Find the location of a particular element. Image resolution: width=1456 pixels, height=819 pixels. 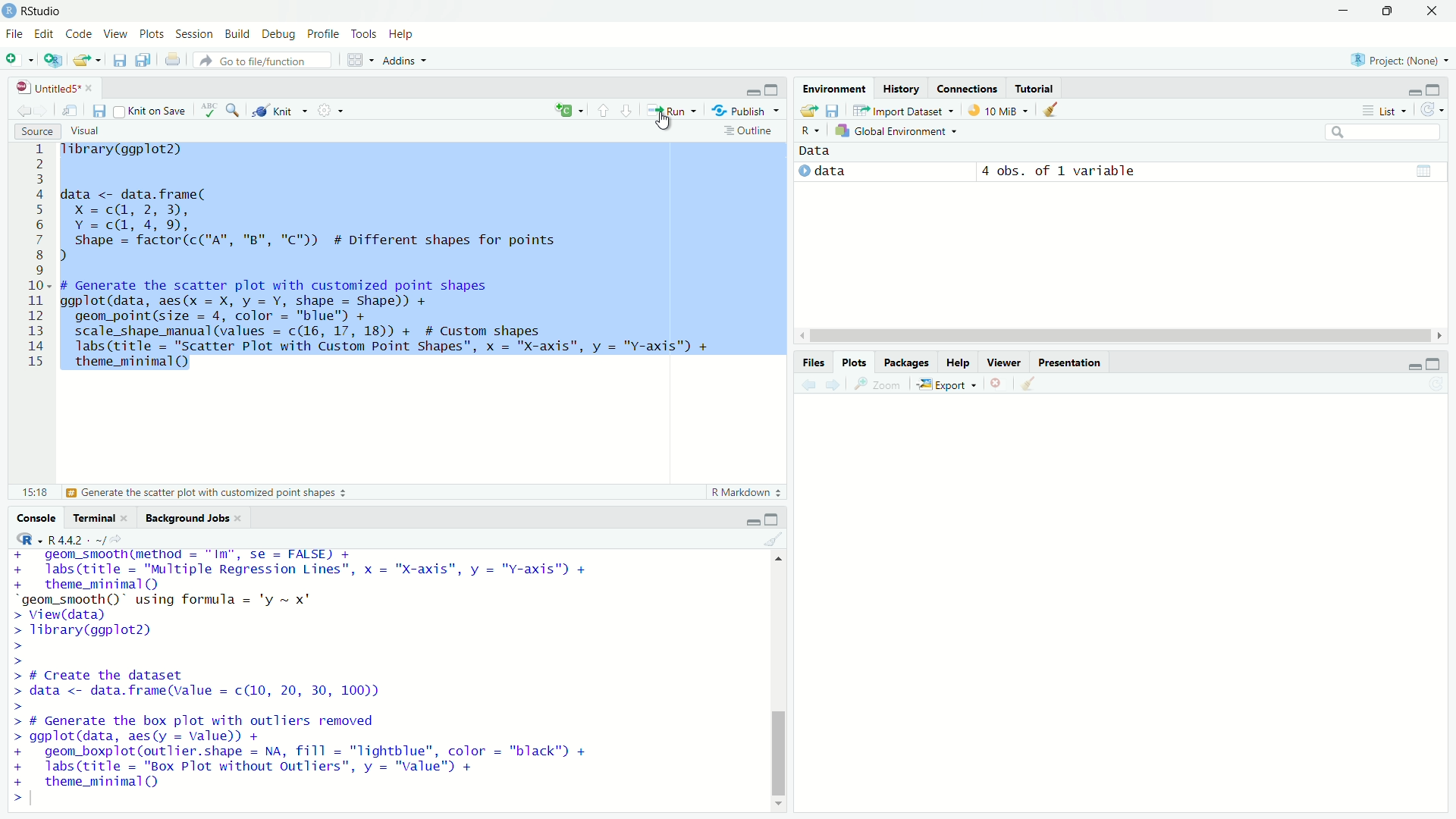

Remove current plot is located at coordinates (996, 383).